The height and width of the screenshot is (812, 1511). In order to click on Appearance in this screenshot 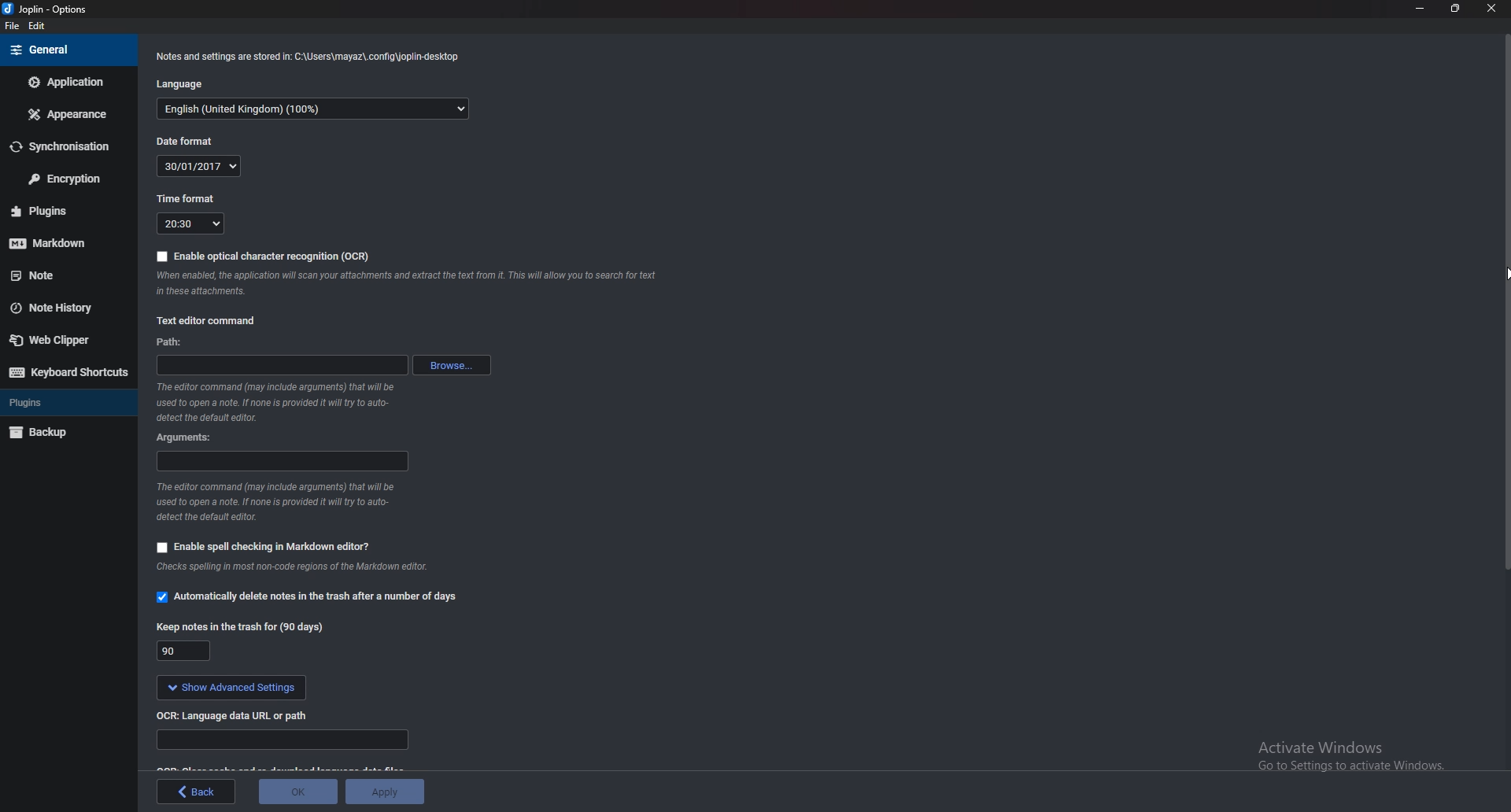, I will do `click(68, 114)`.